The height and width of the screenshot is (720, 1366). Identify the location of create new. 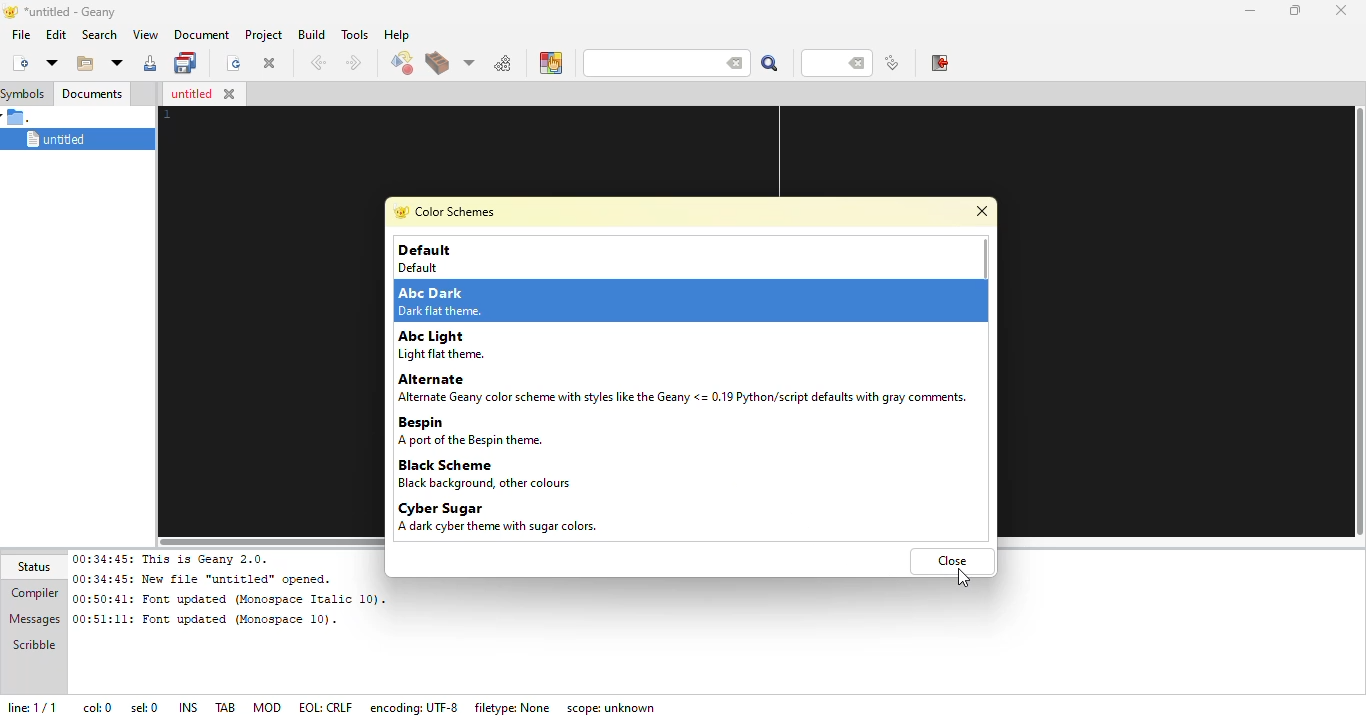
(19, 62).